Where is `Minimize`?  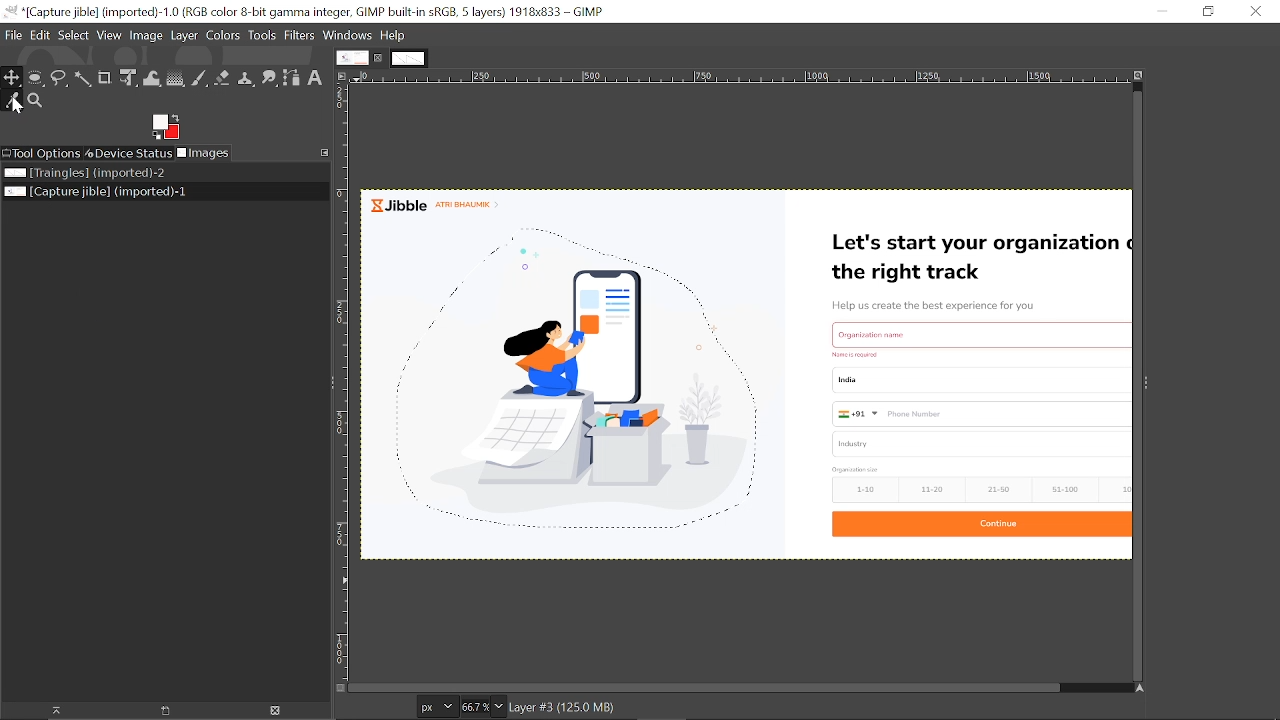
Minimize is located at coordinates (1160, 12).